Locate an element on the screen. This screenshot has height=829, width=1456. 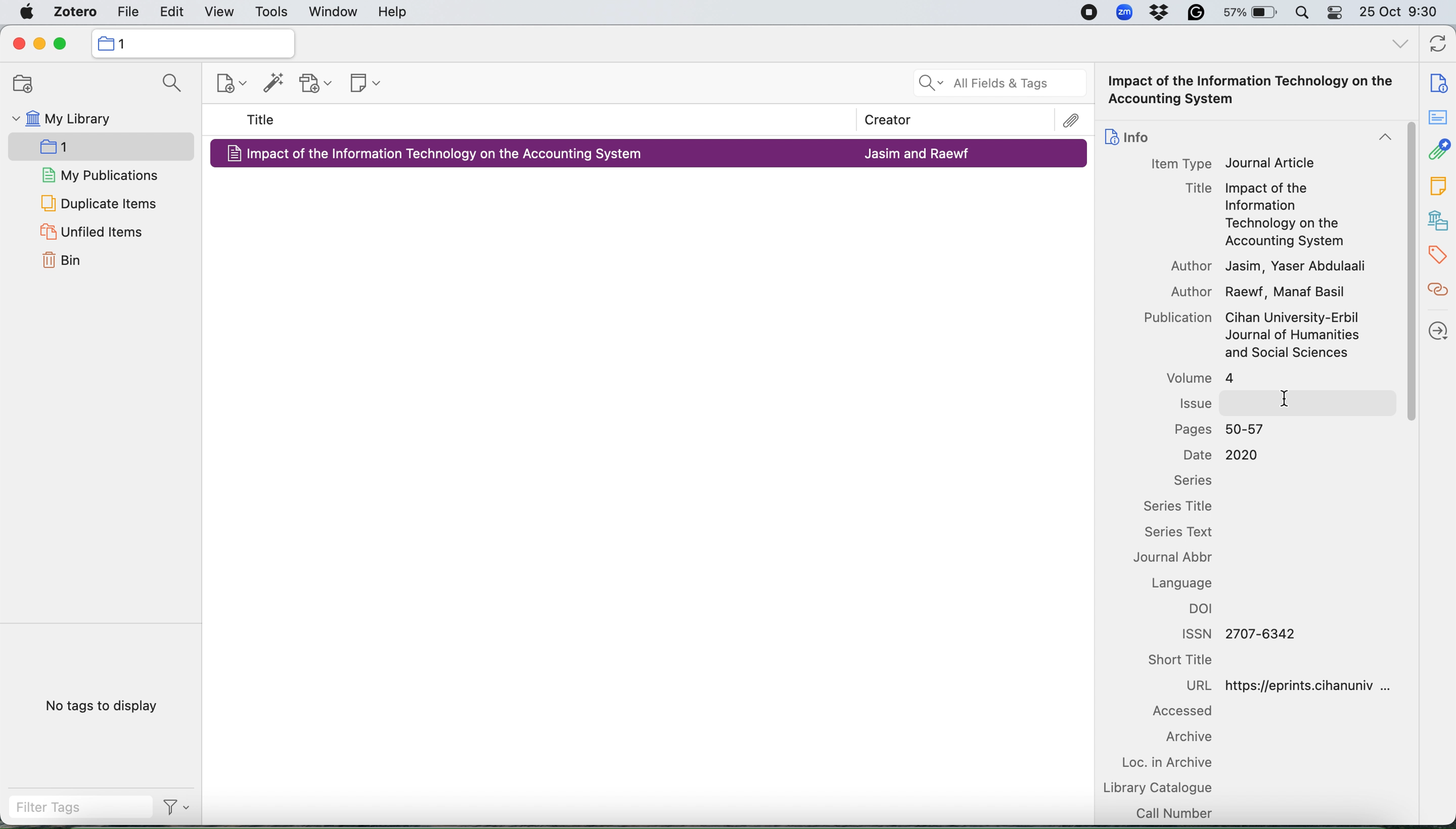
issn is located at coordinates (1235, 633).